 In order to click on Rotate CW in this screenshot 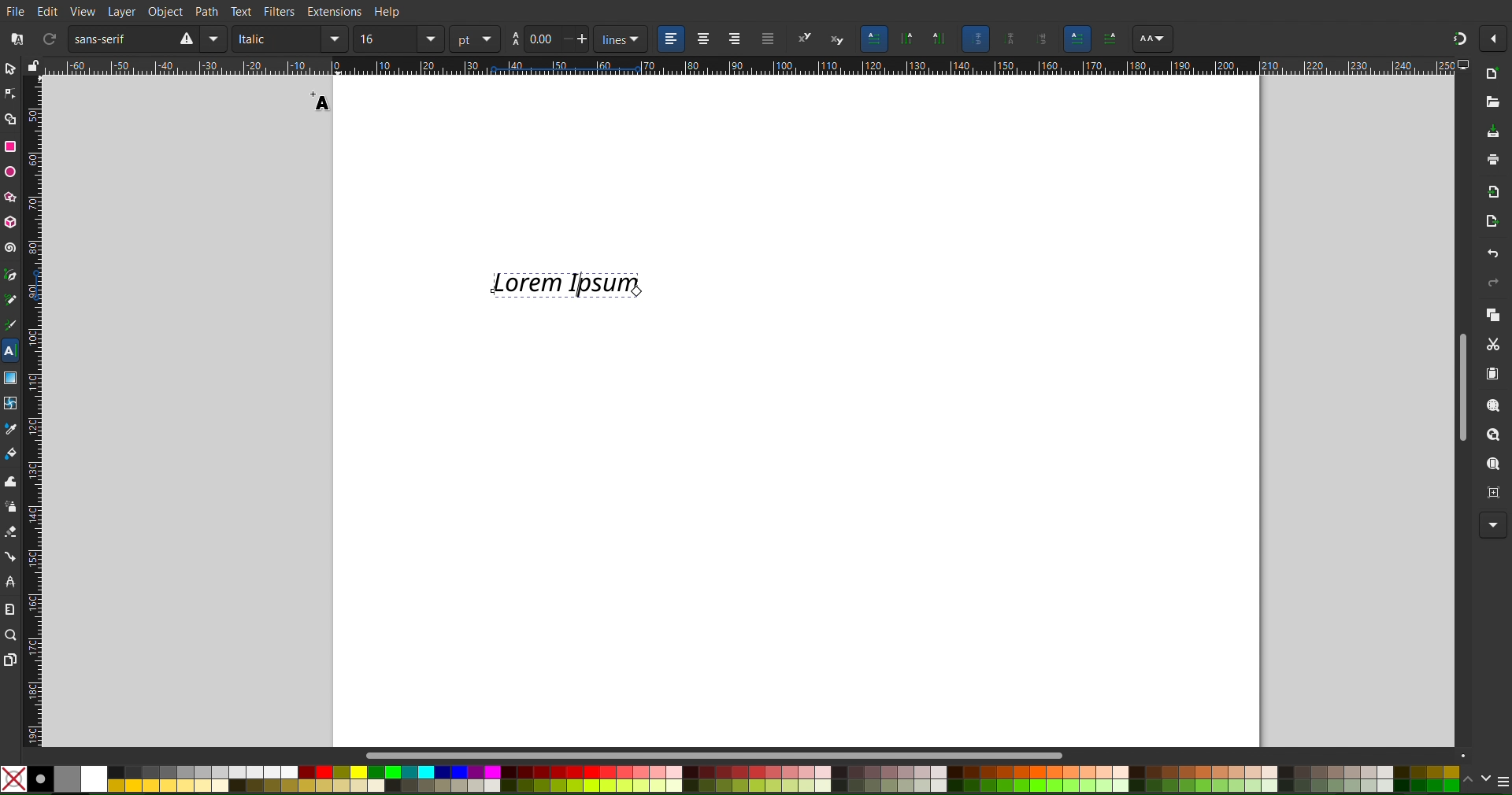, I will do `click(183, 39)`.